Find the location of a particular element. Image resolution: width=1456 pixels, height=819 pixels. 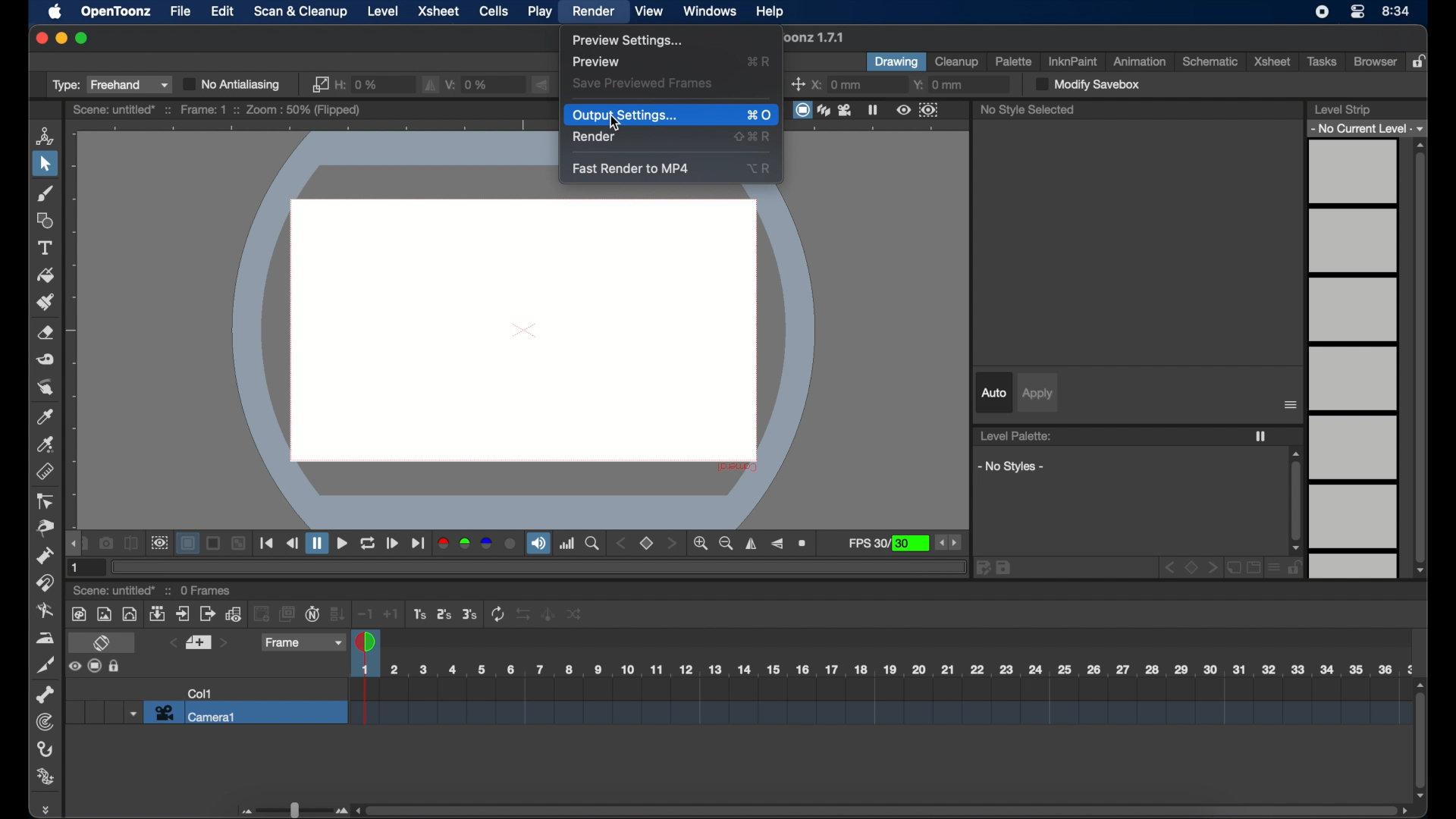

output settings is located at coordinates (626, 115).